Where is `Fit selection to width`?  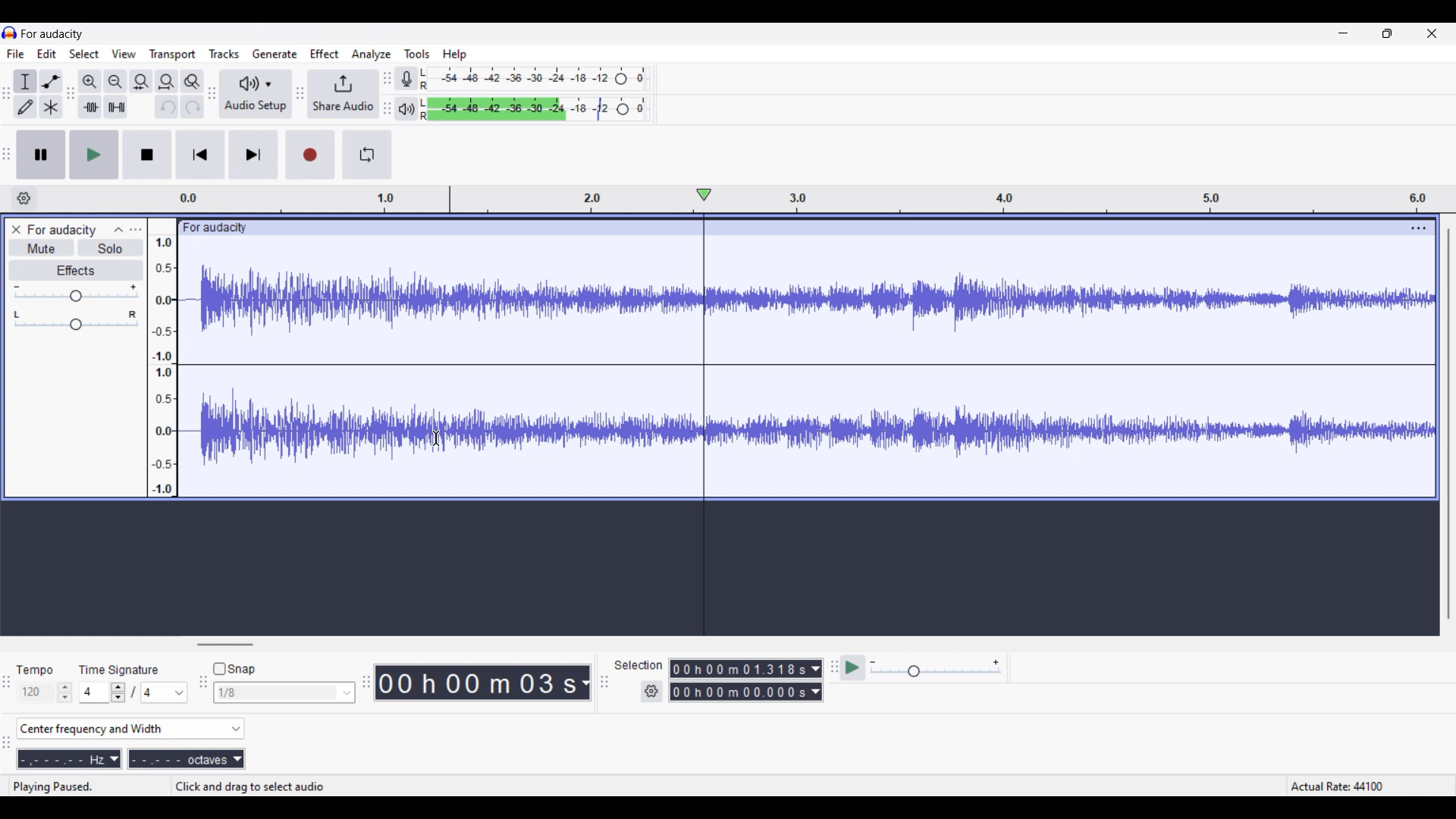
Fit selection to width is located at coordinates (141, 82).